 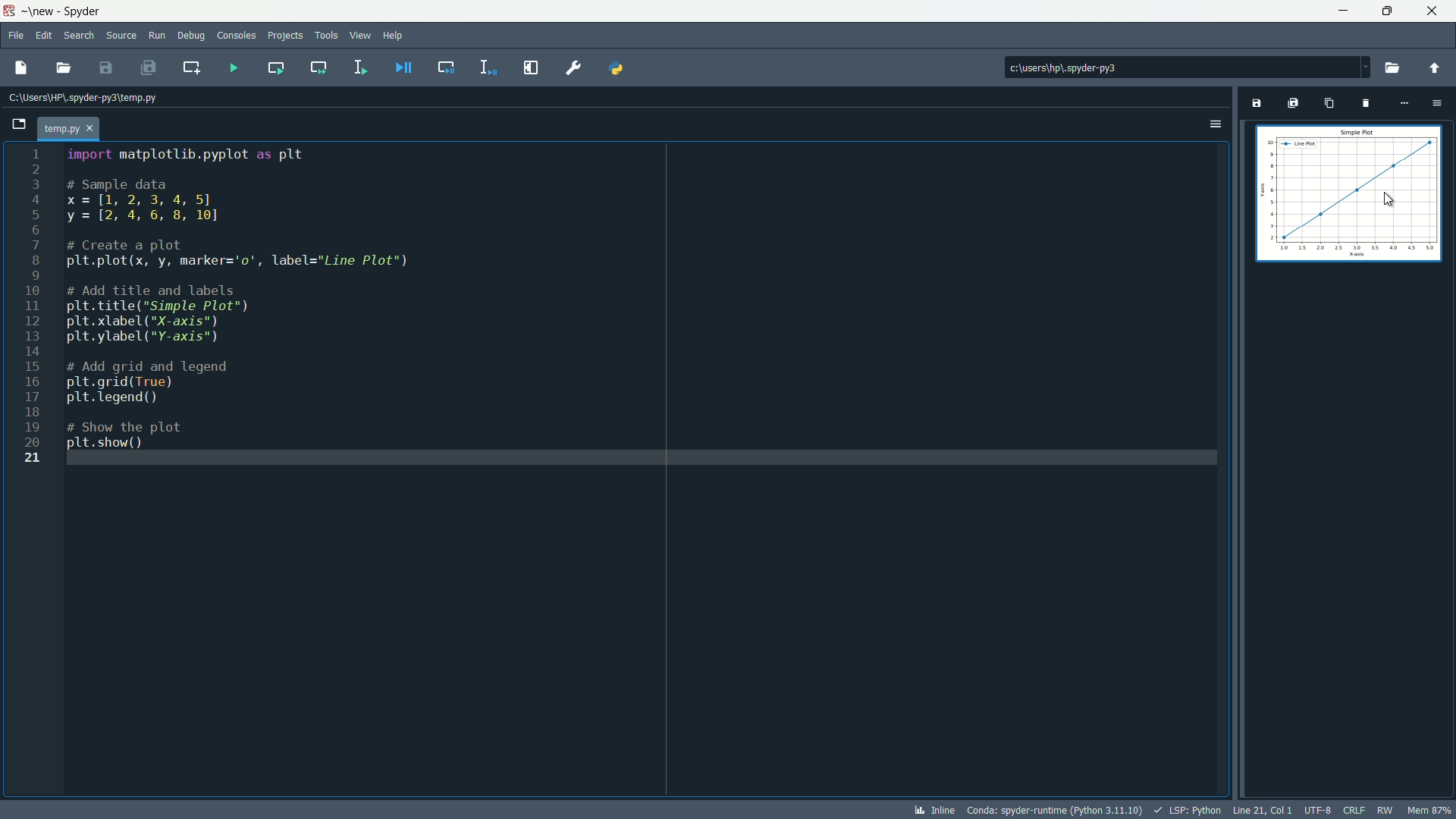 I want to click on close, so click(x=1433, y=10).